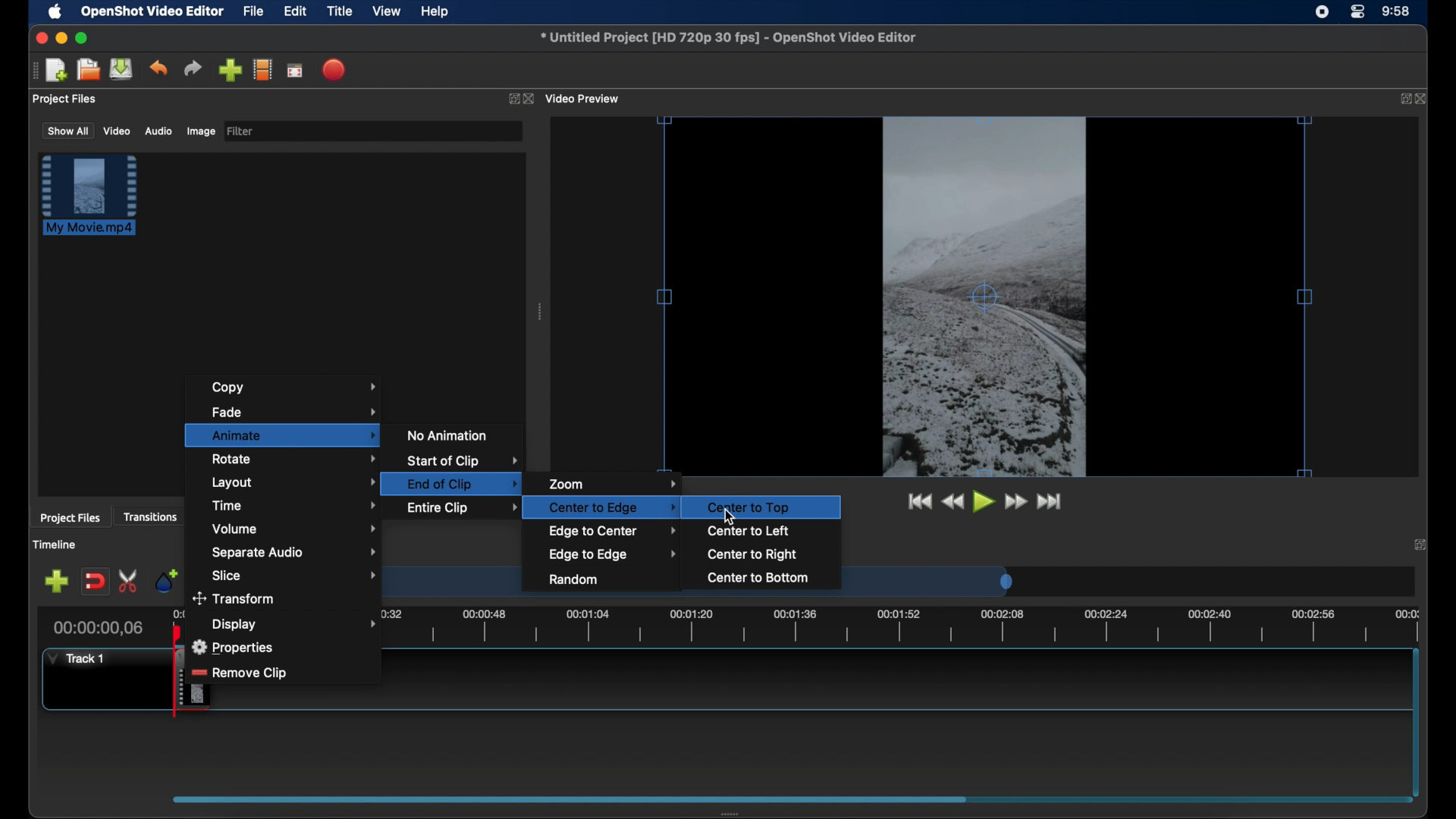 This screenshot has width=1456, height=819. Describe the element at coordinates (448, 435) in the screenshot. I see `no animation` at that location.